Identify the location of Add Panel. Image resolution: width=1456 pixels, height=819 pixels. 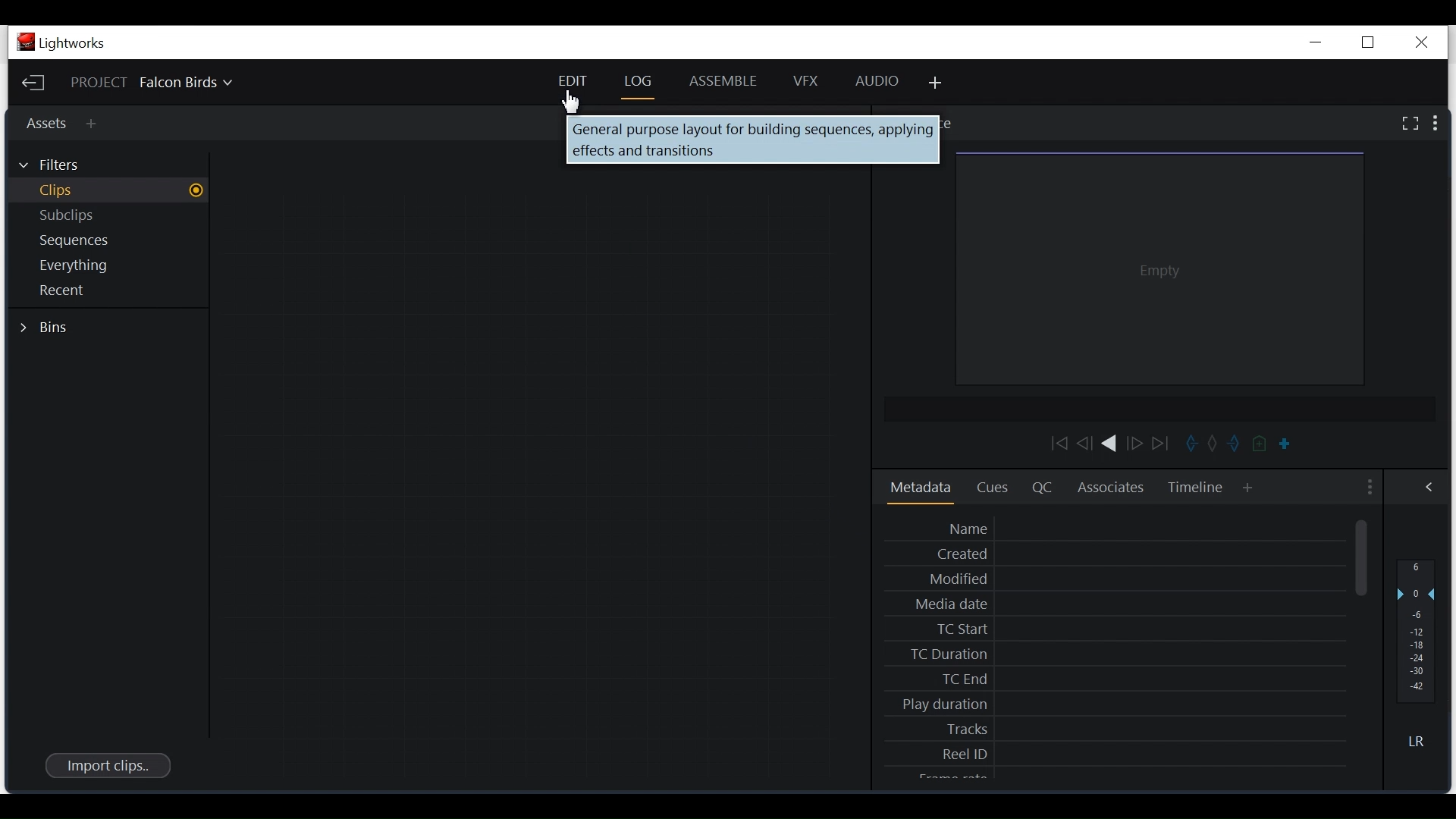
(1248, 487).